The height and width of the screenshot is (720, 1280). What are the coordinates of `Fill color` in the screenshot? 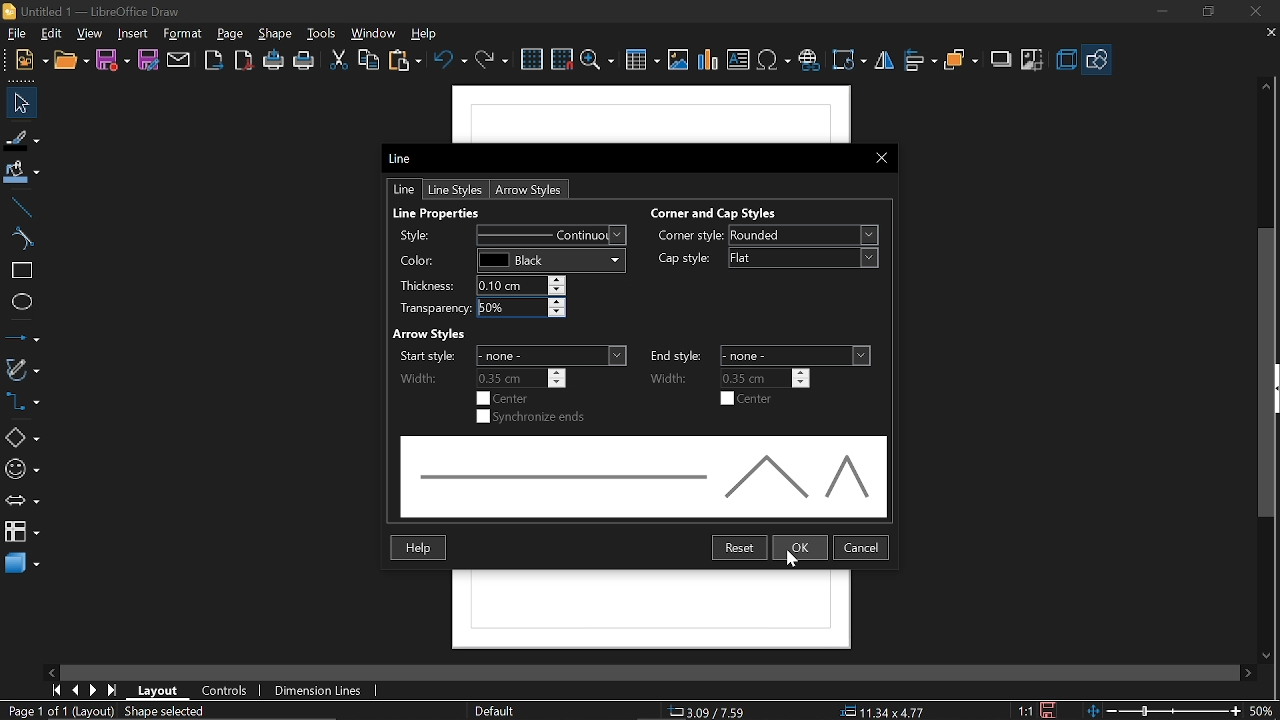 It's located at (22, 175).